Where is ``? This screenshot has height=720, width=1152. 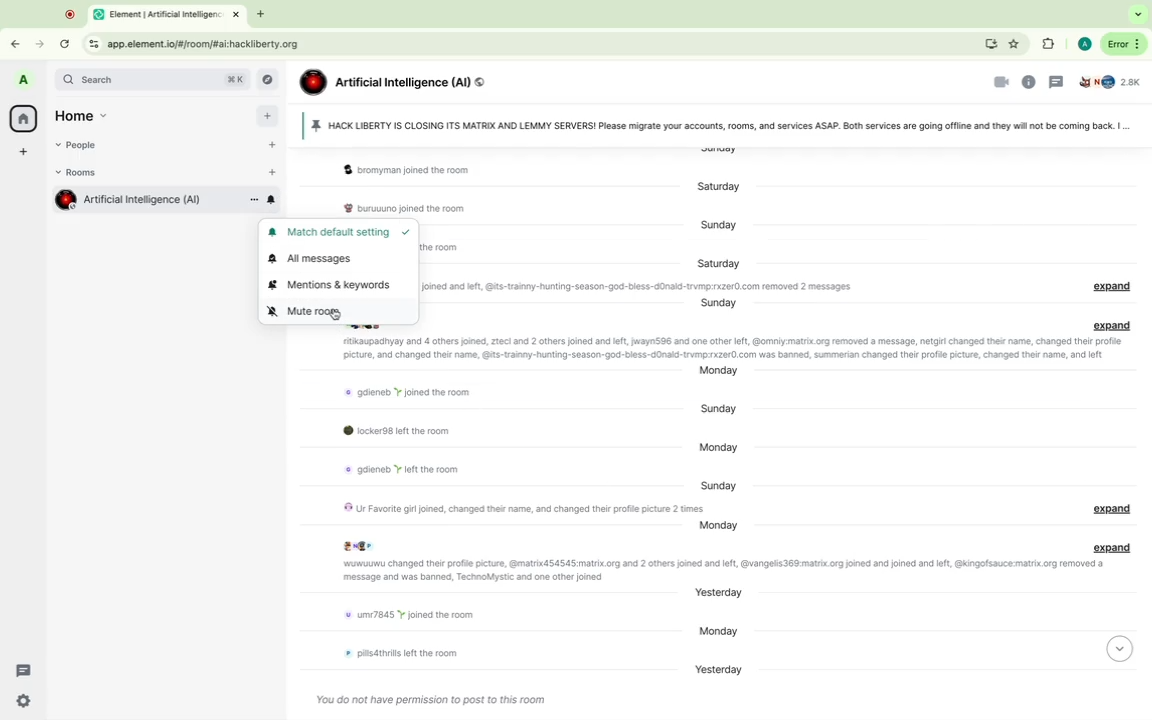  is located at coordinates (311, 199).